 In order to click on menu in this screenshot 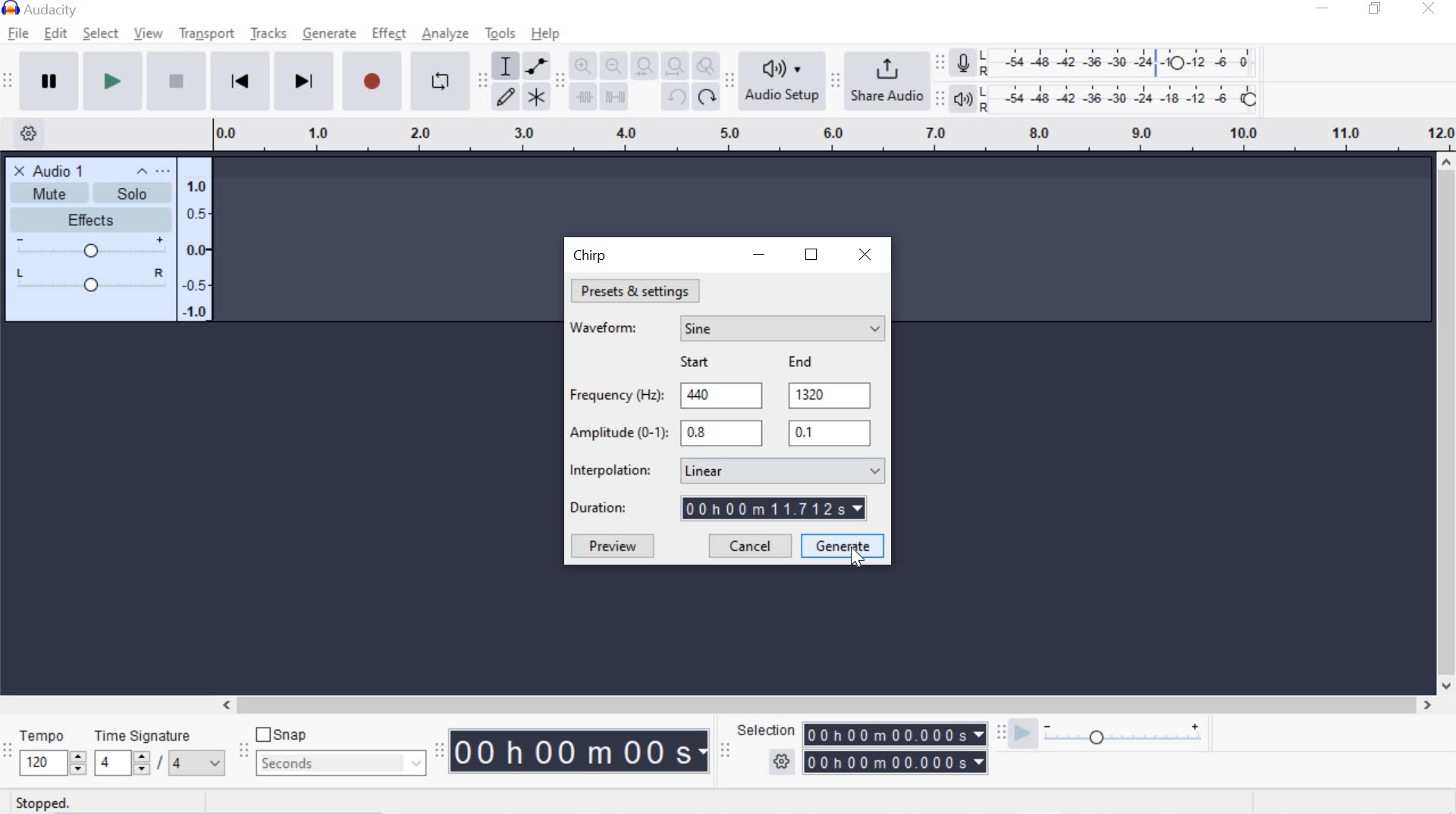, I will do `click(199, 240)`.